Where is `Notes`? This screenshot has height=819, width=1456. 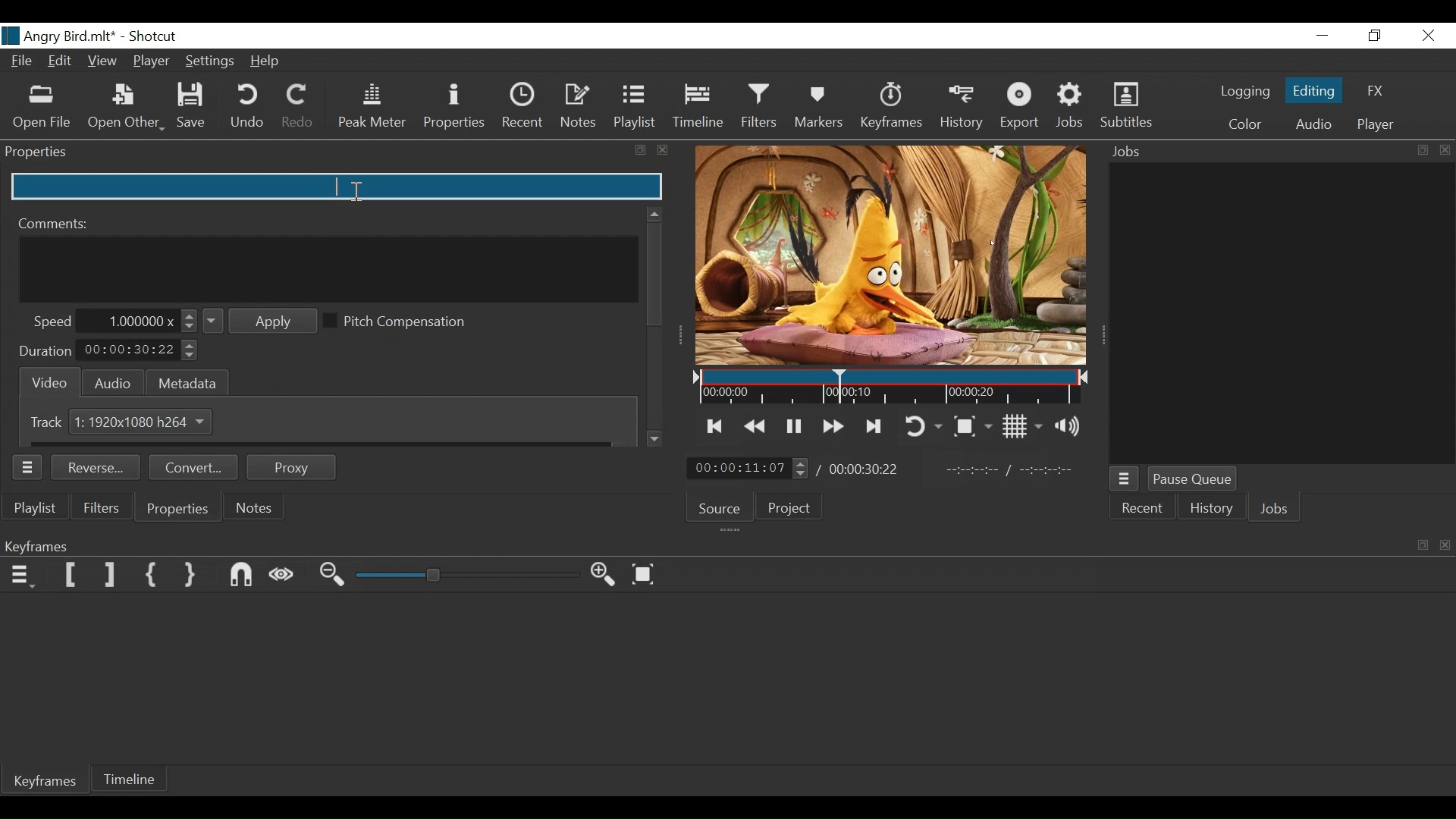 Notes is located at coordinates (579, 107).